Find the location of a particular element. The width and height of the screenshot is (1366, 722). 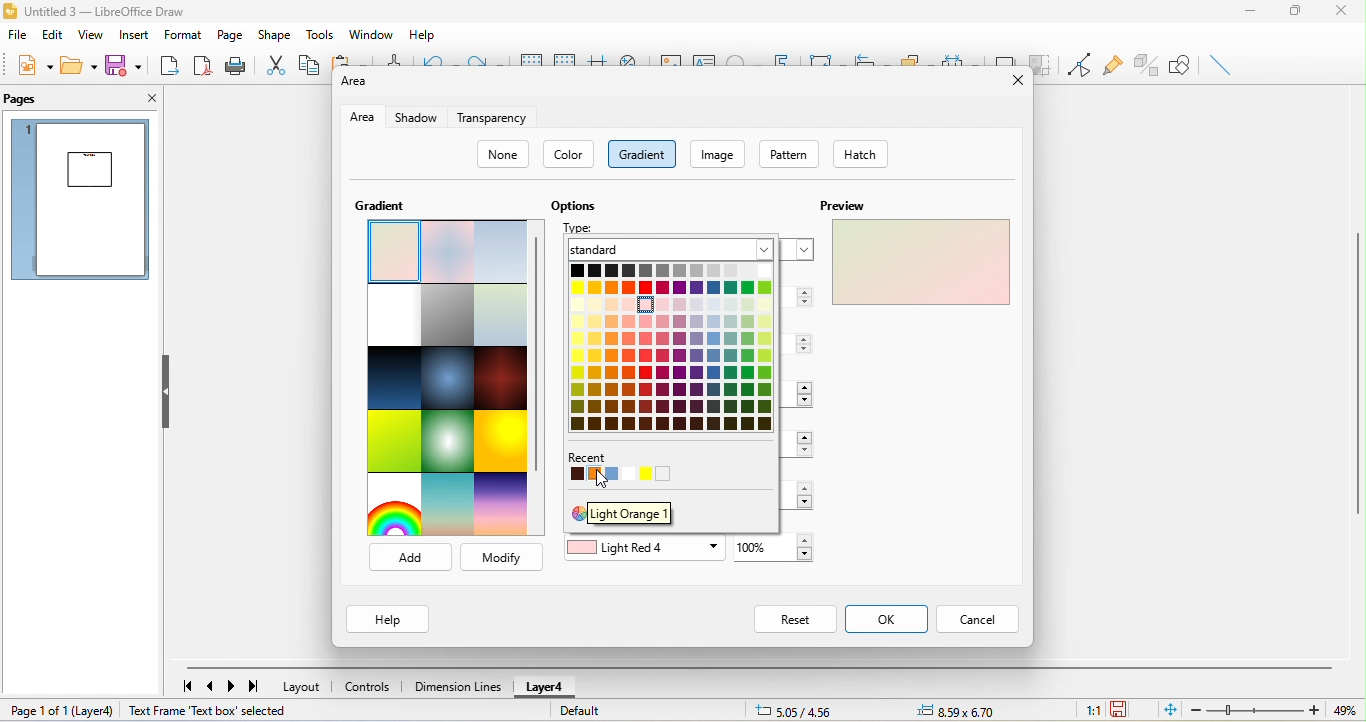

arrange is located at coordinates (914, 56).